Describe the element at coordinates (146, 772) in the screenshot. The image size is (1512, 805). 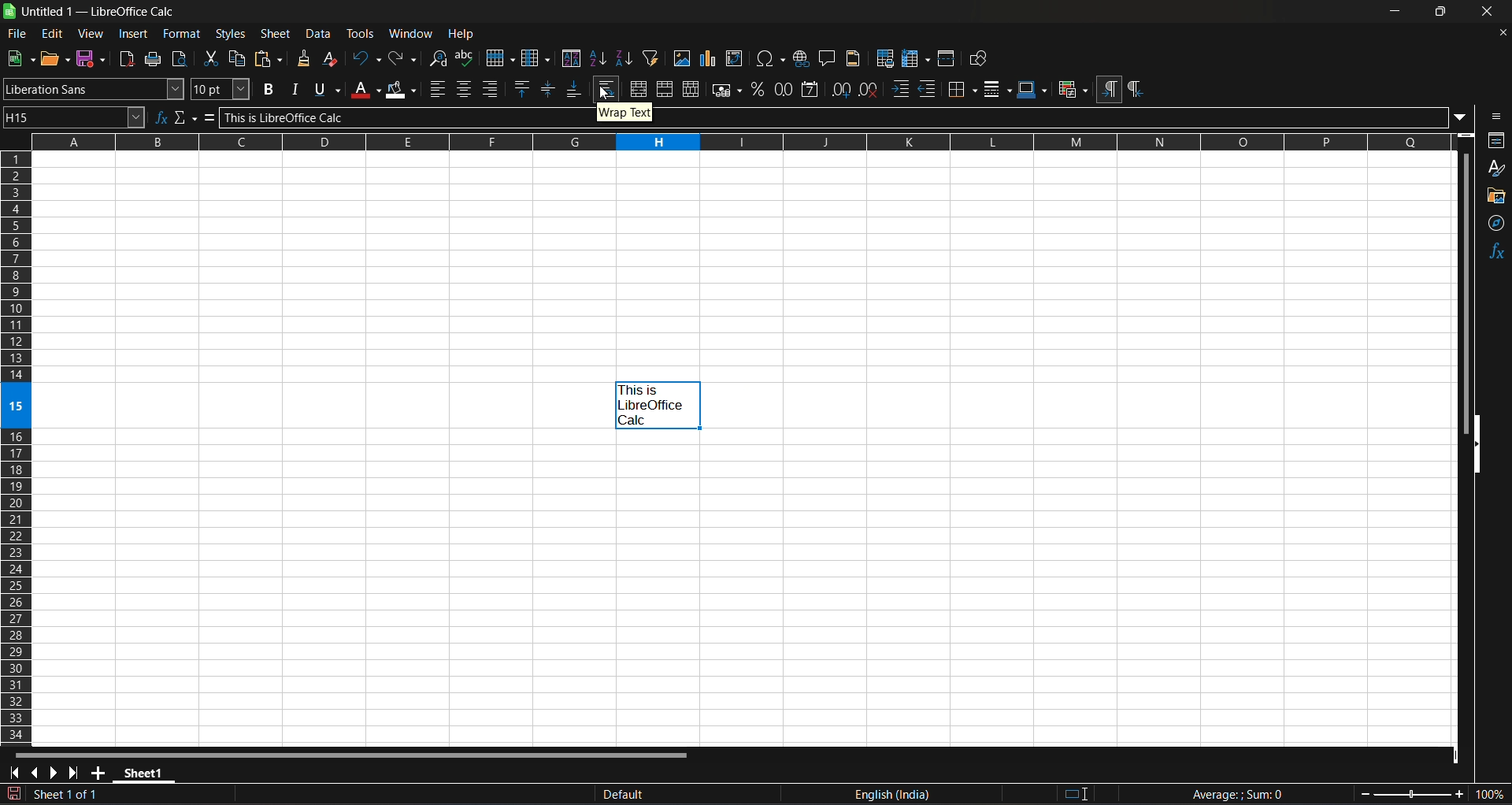
I see `sheet 1` at that location.